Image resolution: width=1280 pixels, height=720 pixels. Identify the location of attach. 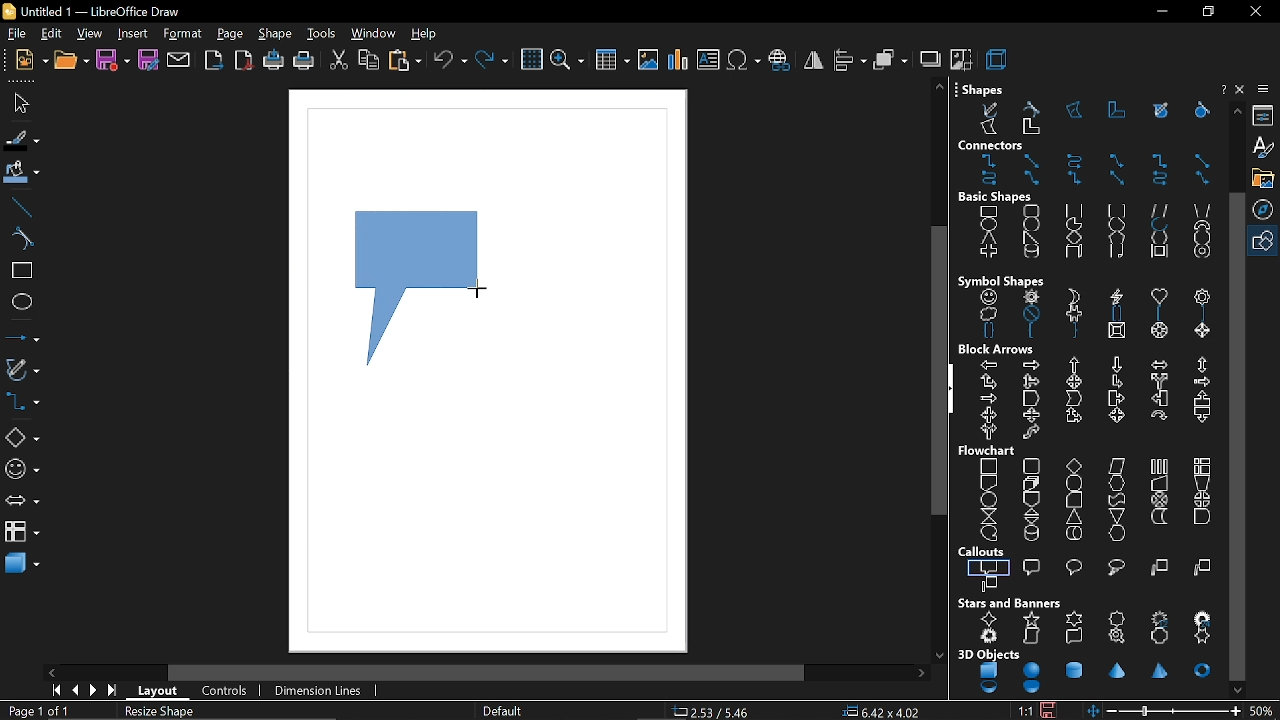
(179, 62).